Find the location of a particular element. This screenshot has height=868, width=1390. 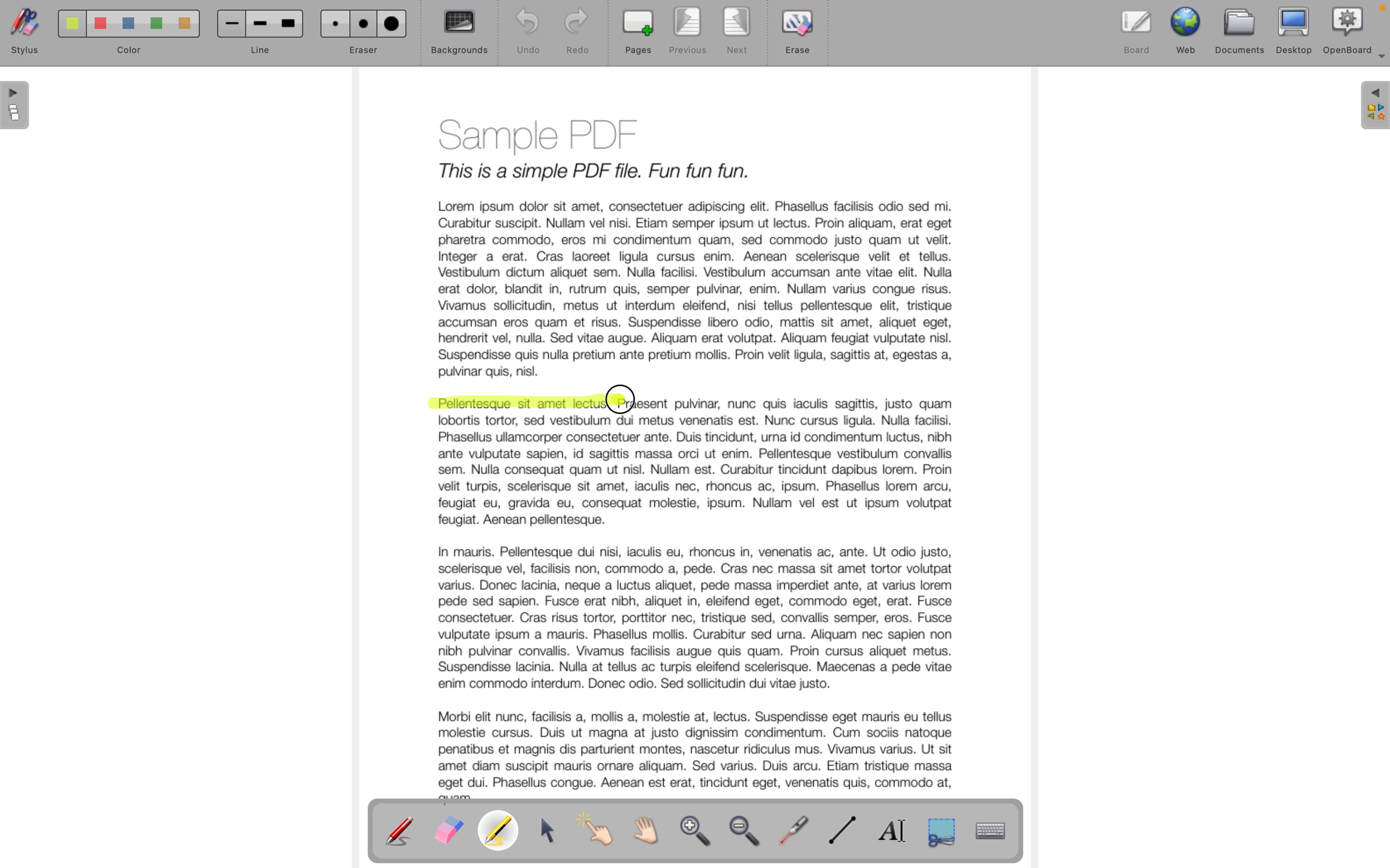

line is located at coordinates (258, 34).